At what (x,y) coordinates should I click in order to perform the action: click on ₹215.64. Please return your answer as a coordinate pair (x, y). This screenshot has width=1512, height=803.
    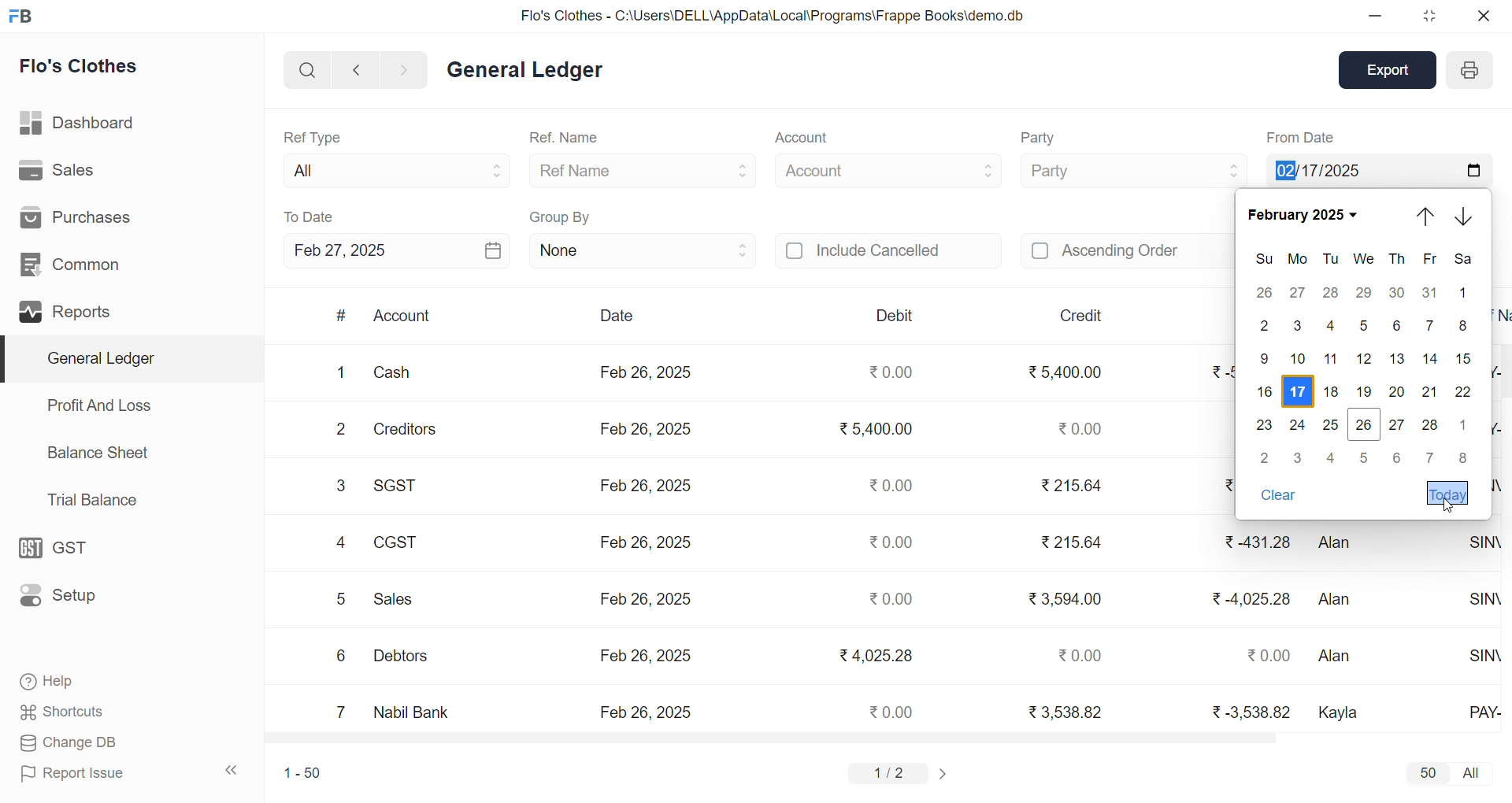
    Looking at the image, I should click on (1073, 485).